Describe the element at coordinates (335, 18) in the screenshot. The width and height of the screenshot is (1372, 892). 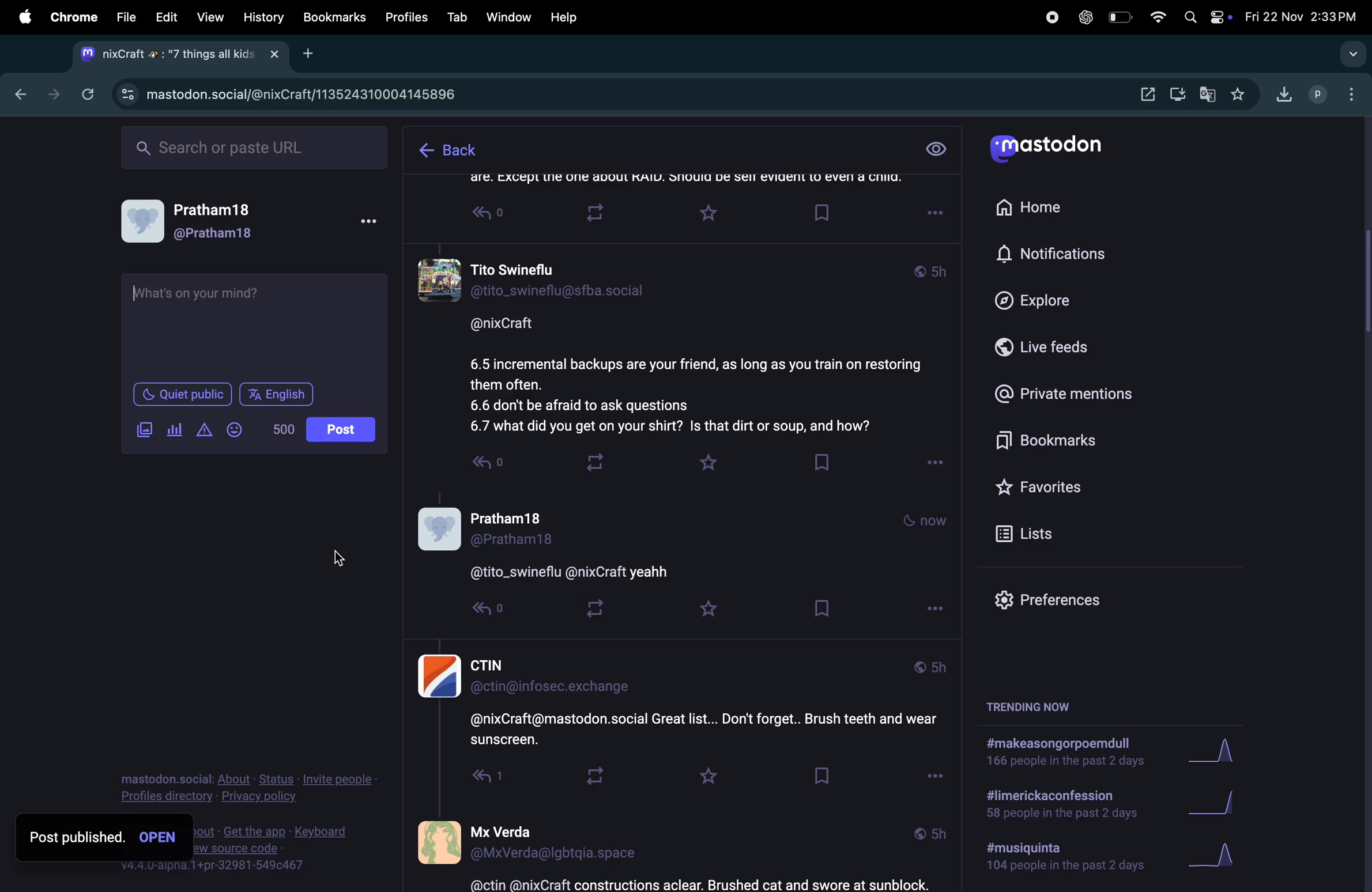
I see `bookmark` at that location.